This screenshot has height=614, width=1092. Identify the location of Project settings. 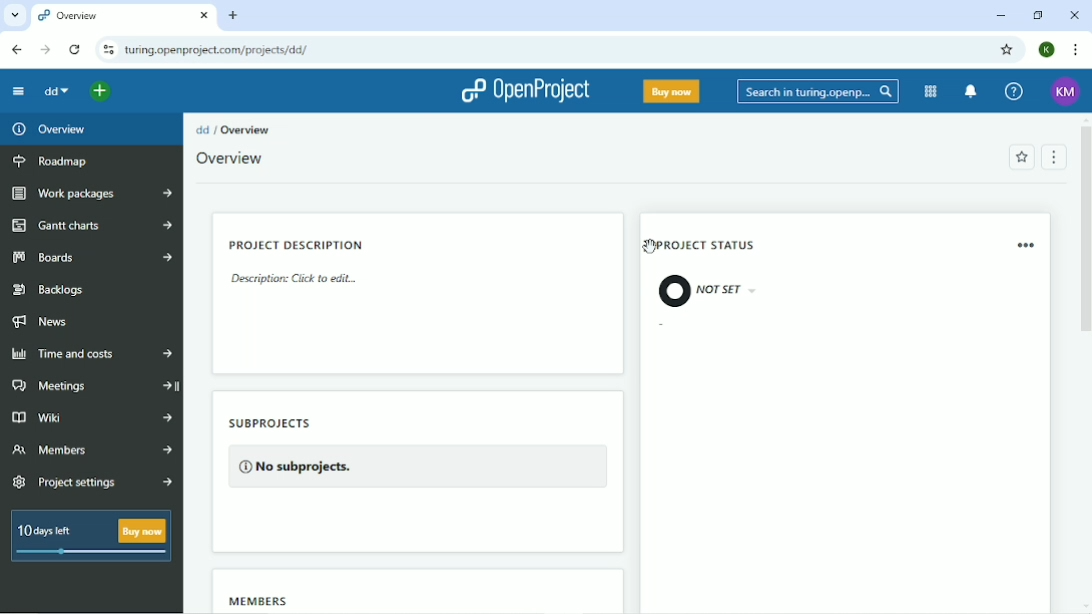
(92, 482).